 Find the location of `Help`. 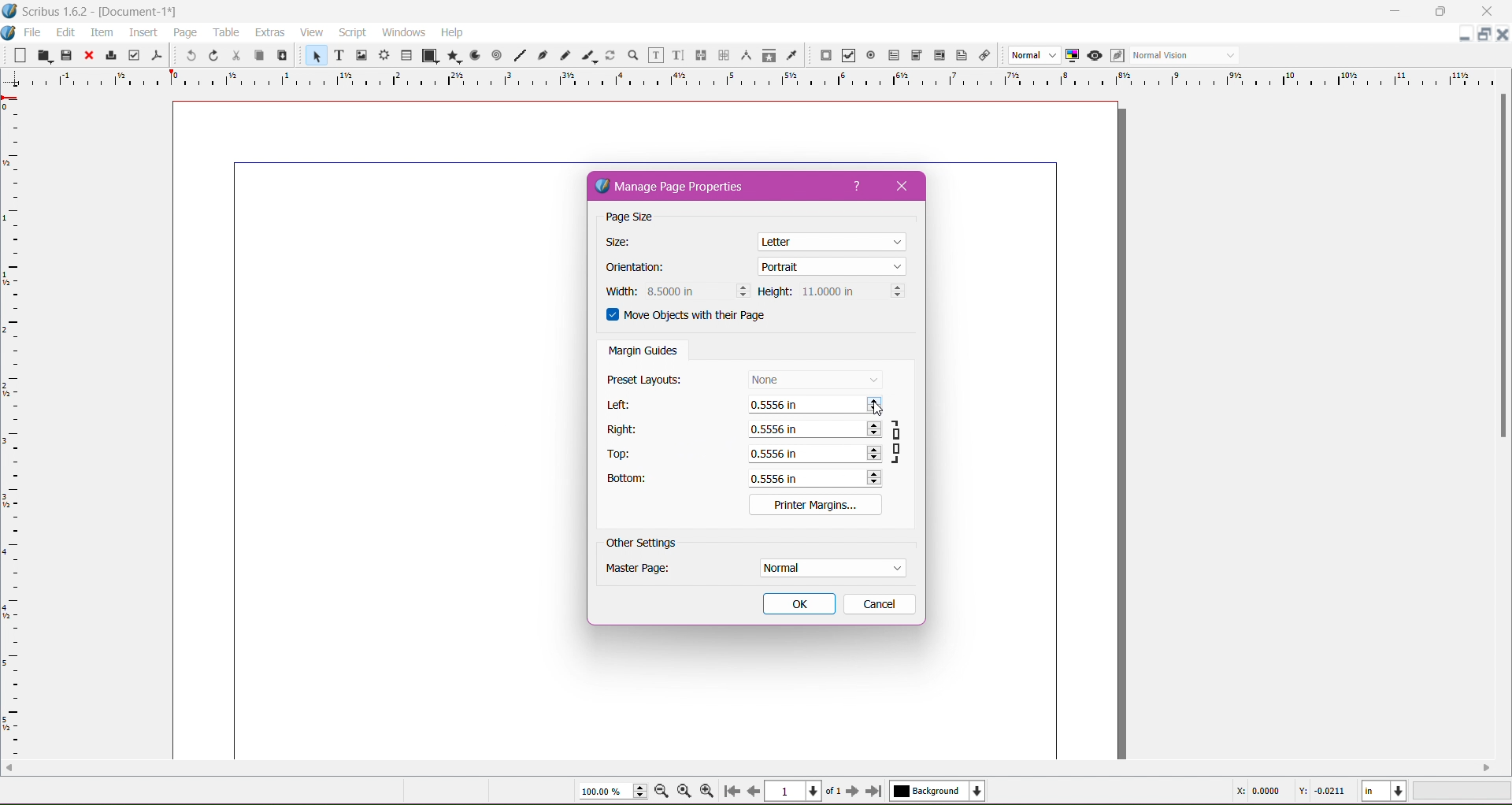

Help is located at coordinates (858, 187).